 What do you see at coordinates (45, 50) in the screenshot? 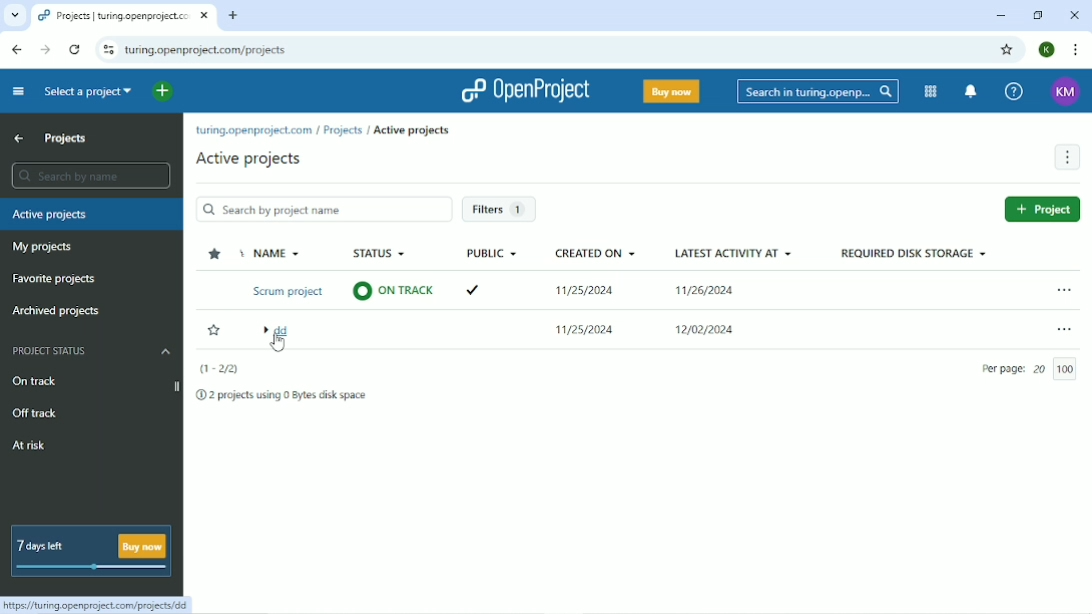
I see `Forward` at bounding box center [45, 50].